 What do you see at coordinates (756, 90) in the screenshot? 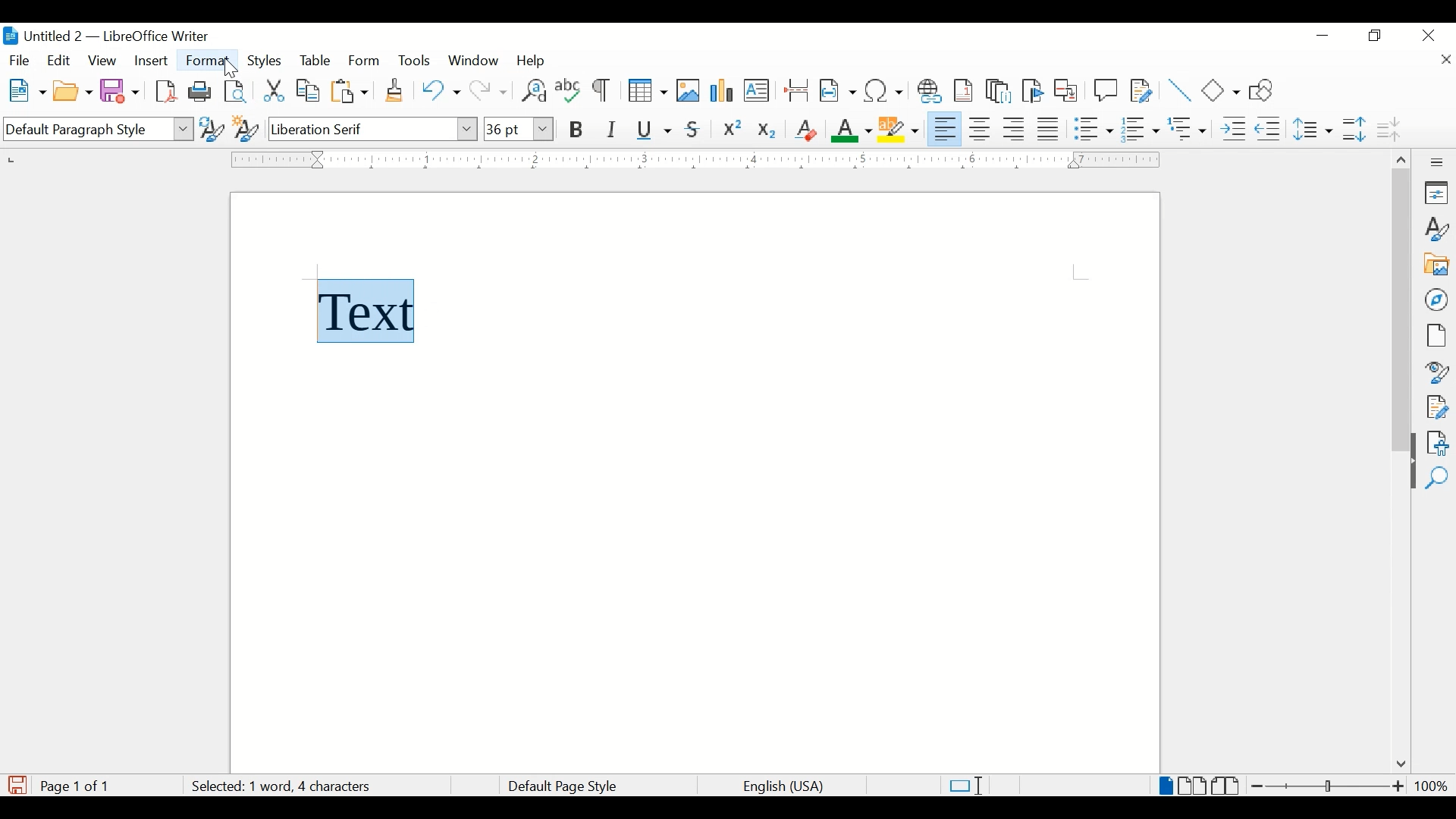
I see `insert text box` at bounding box center [756, 90].